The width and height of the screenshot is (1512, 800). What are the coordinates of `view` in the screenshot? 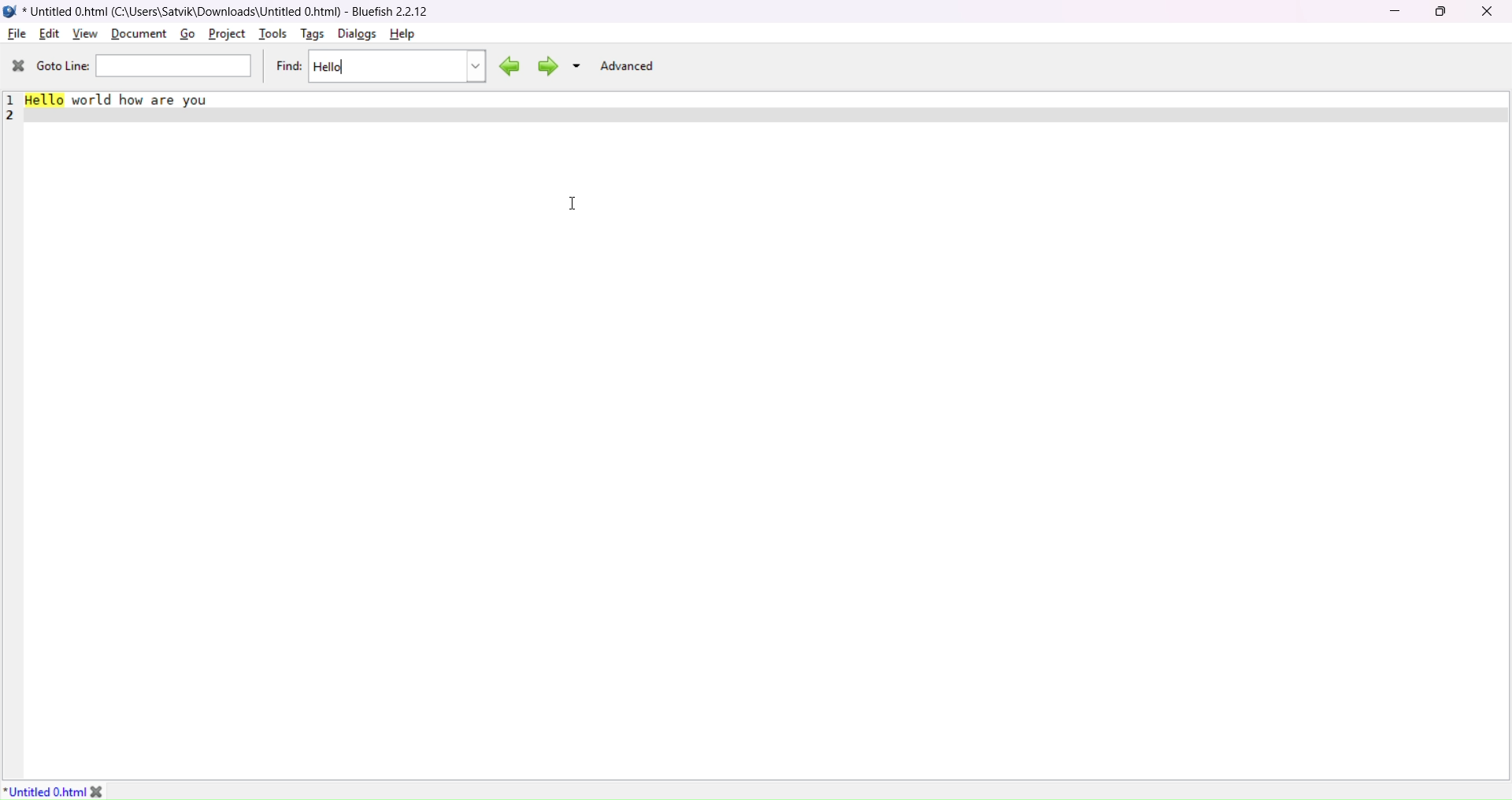 It's located at (84, 32).